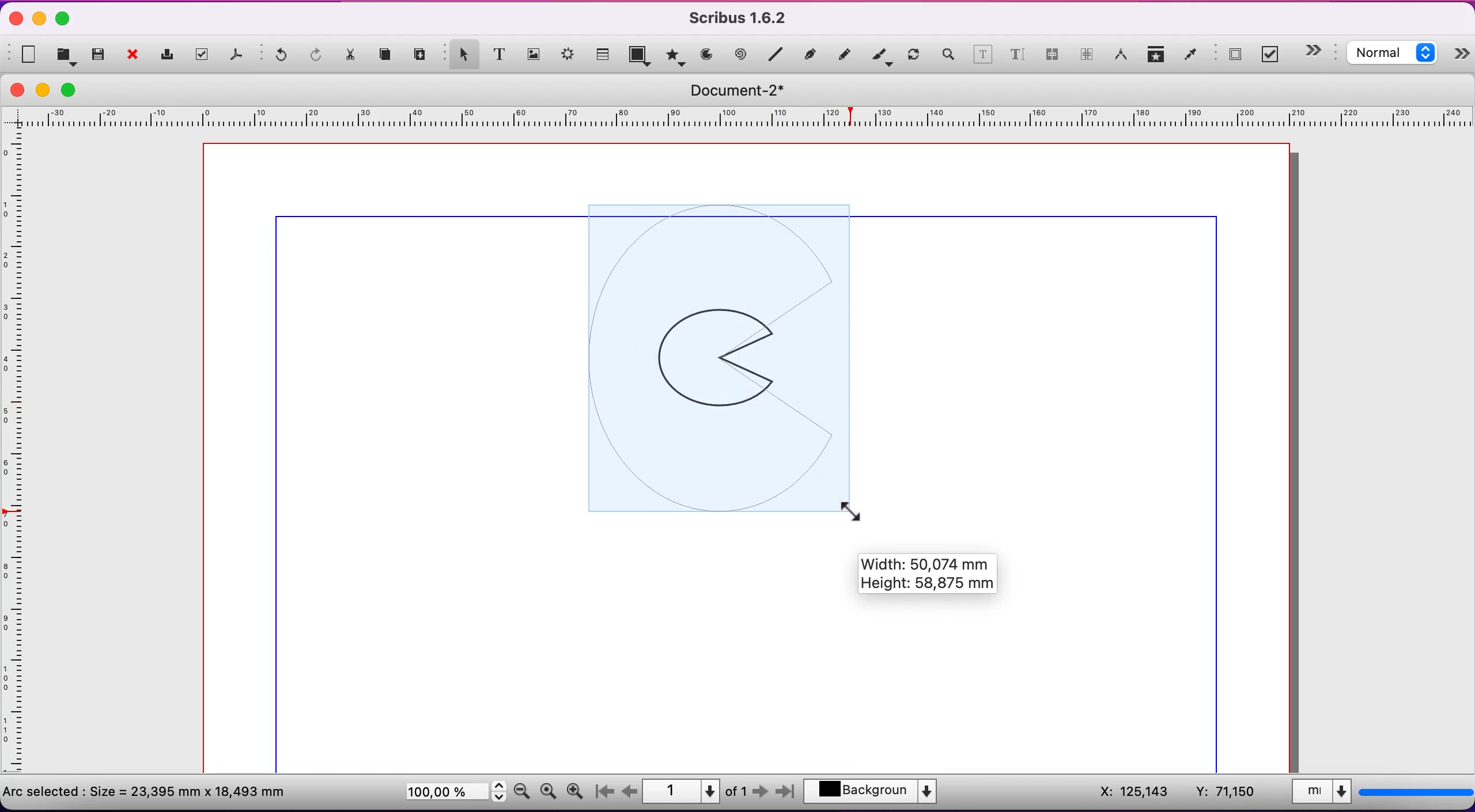 This screenshot has height=812, width=1475. I want to click on horizontal measures, so click(740, 121).